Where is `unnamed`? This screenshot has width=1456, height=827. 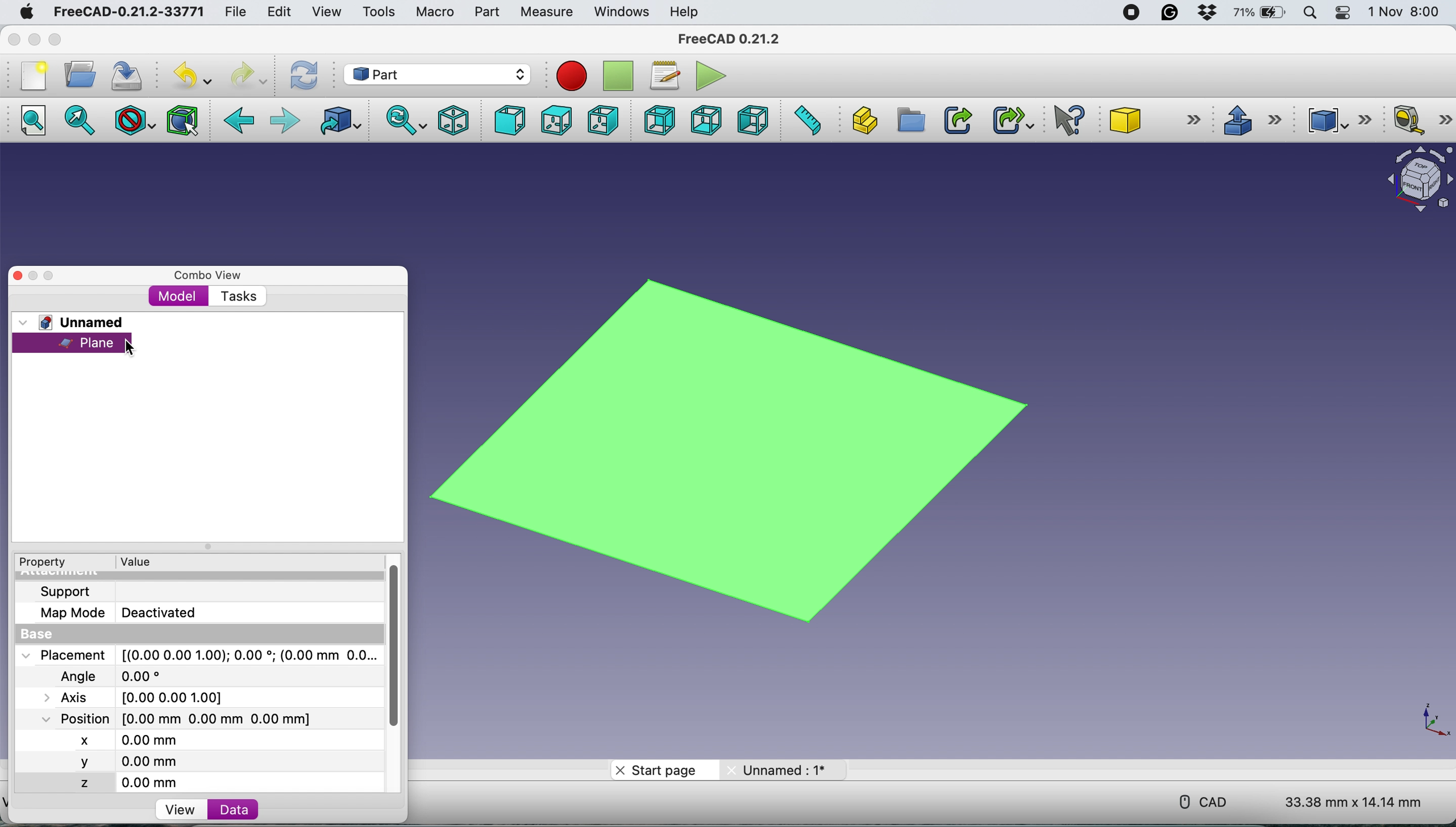
unnamed is located at coordinates (75, 322).